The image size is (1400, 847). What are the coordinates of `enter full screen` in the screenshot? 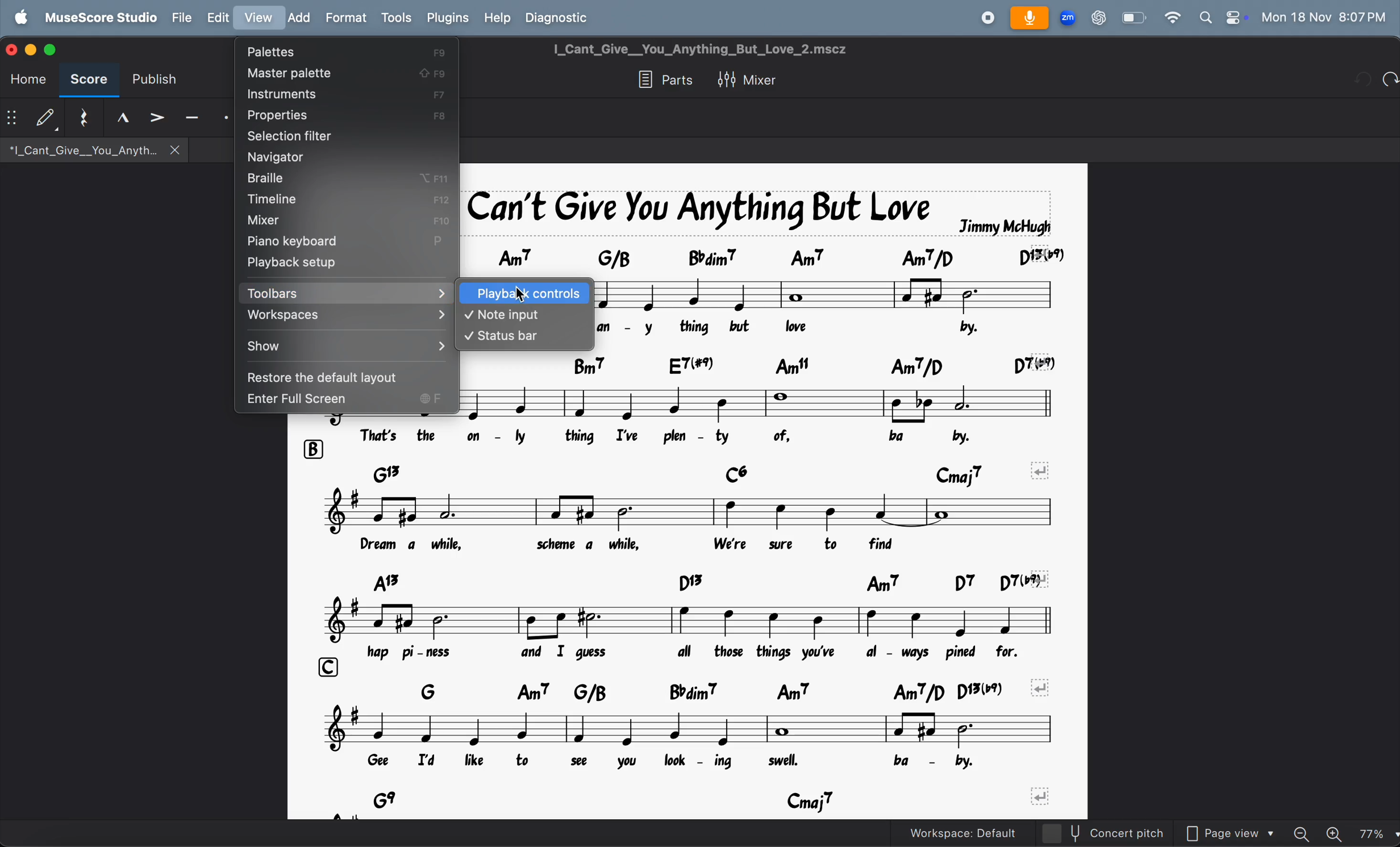 It's located at (345, 402).